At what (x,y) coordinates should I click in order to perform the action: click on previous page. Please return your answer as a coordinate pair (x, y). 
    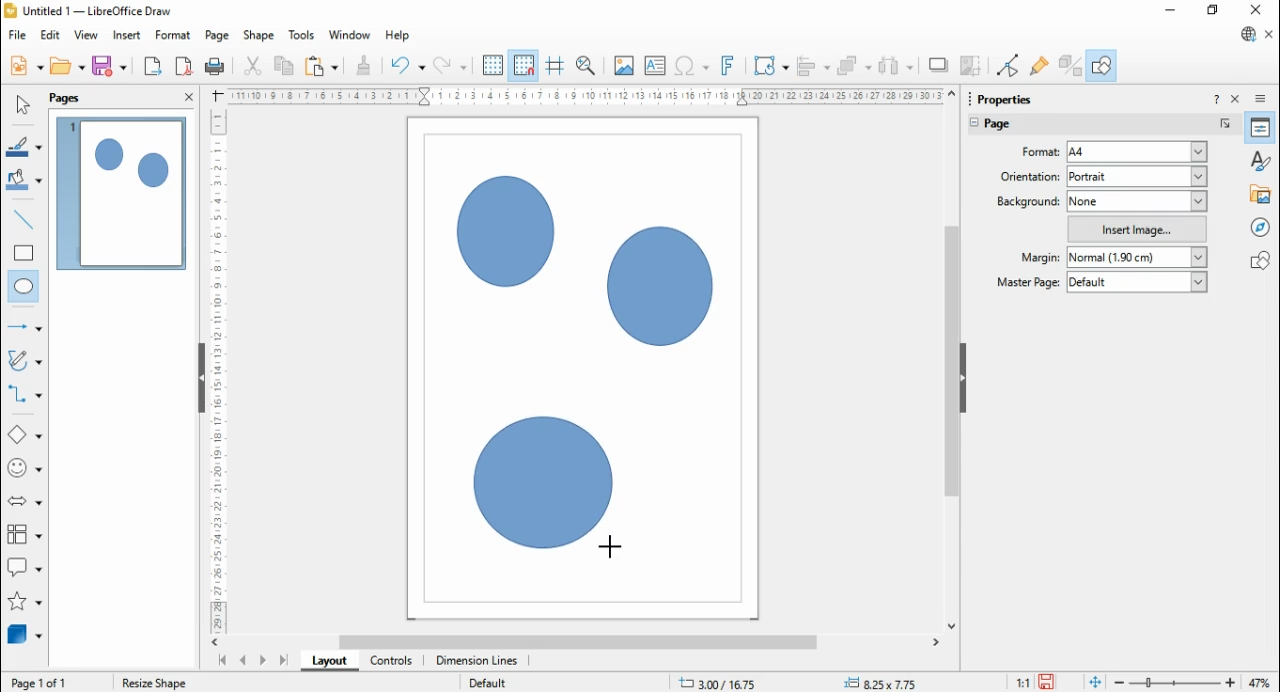
    Looking at the image, I should click on (244, 661).